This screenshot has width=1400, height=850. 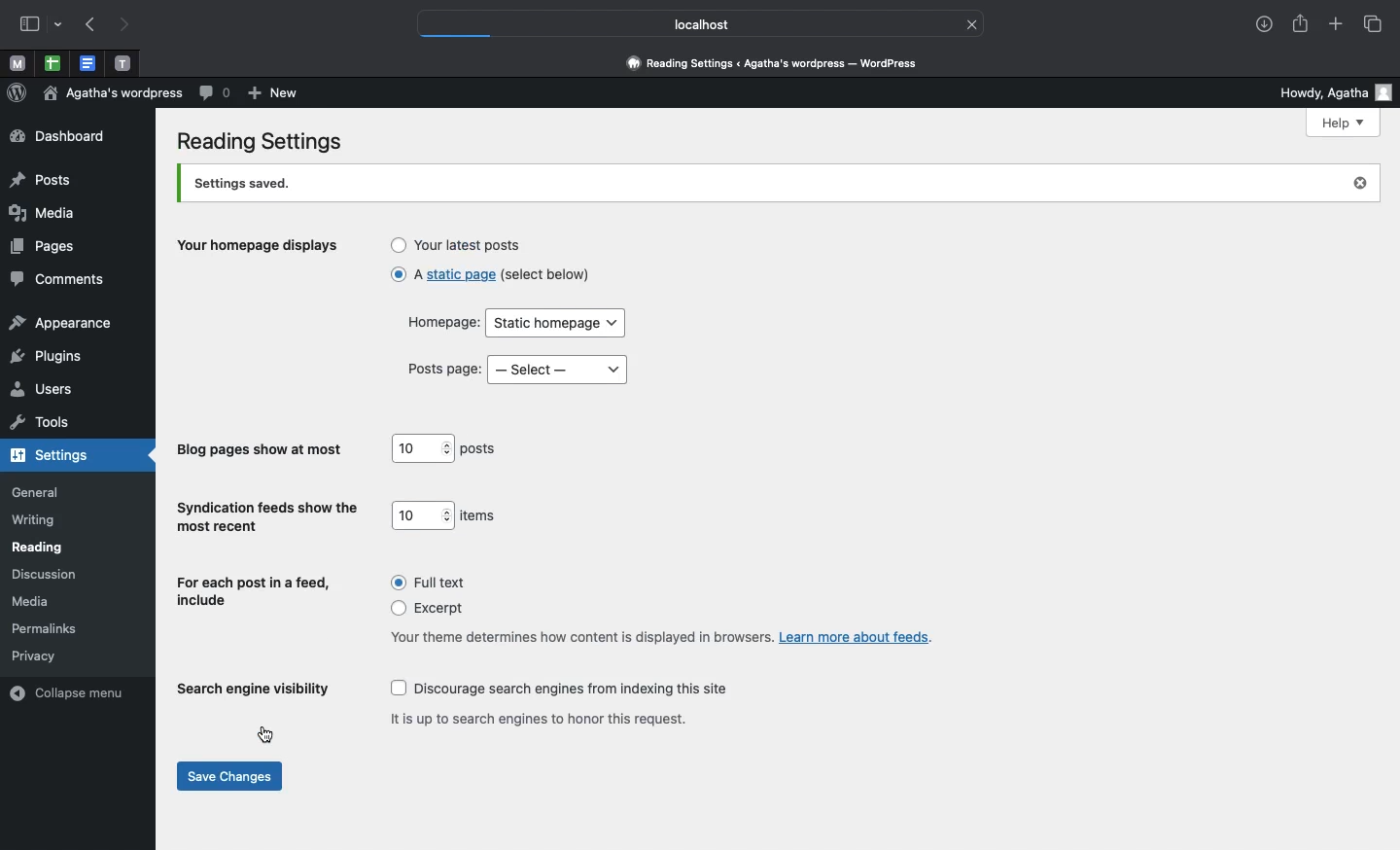 I want to click on 10, so click(x=422, y=516).